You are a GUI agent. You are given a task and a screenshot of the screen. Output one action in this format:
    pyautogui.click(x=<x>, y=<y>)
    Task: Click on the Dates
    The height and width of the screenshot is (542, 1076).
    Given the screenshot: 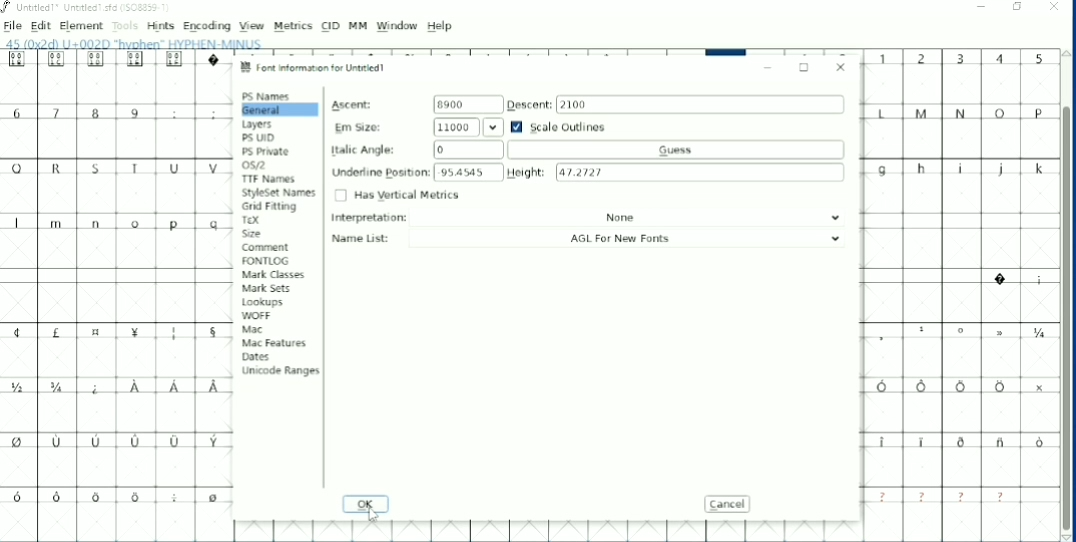 What is the action you would take?
    pyautogui.click(x=255, y=357)
    